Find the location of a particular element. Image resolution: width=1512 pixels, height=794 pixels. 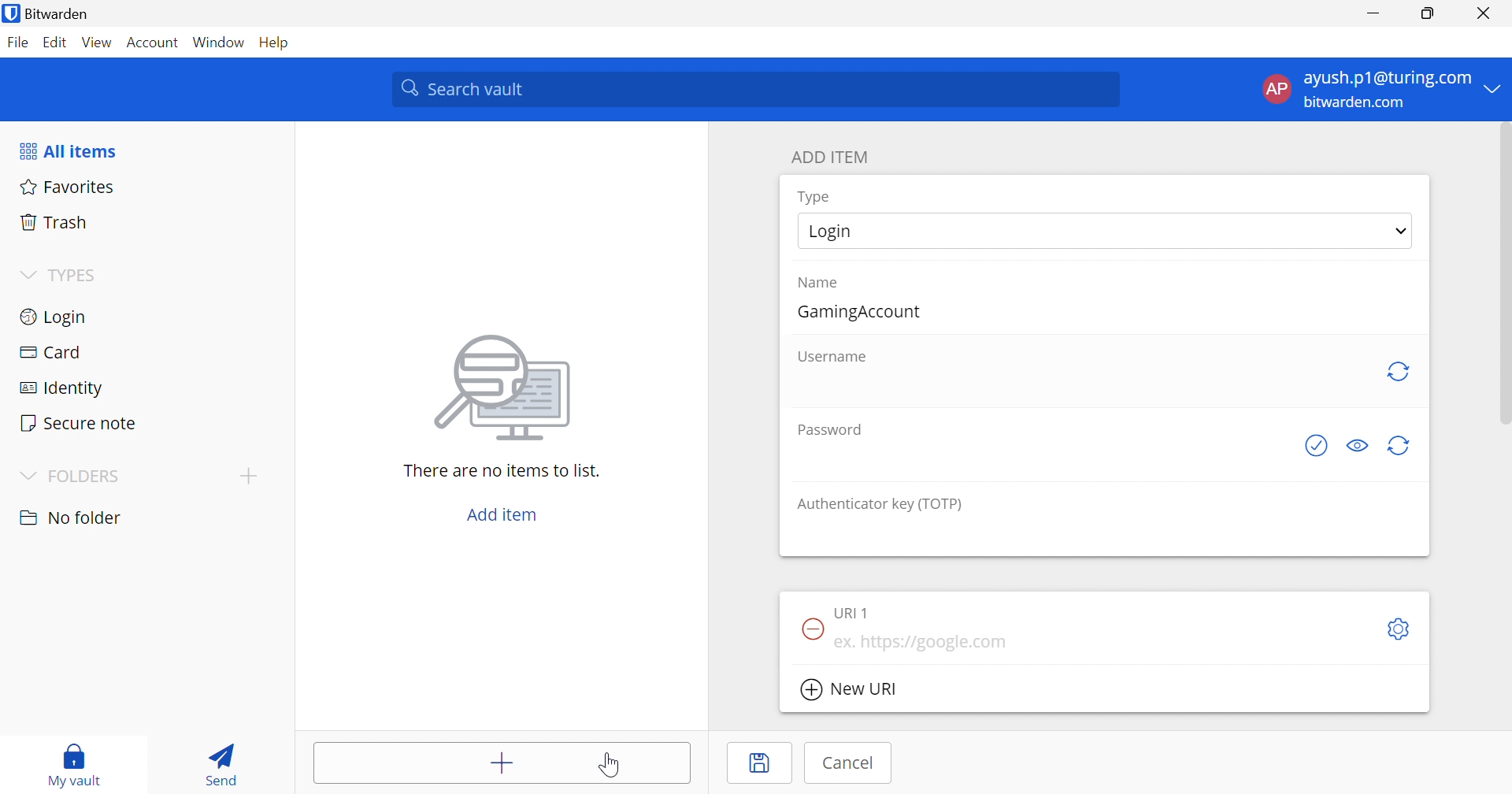

No folder is located at coordinates (73, 518).